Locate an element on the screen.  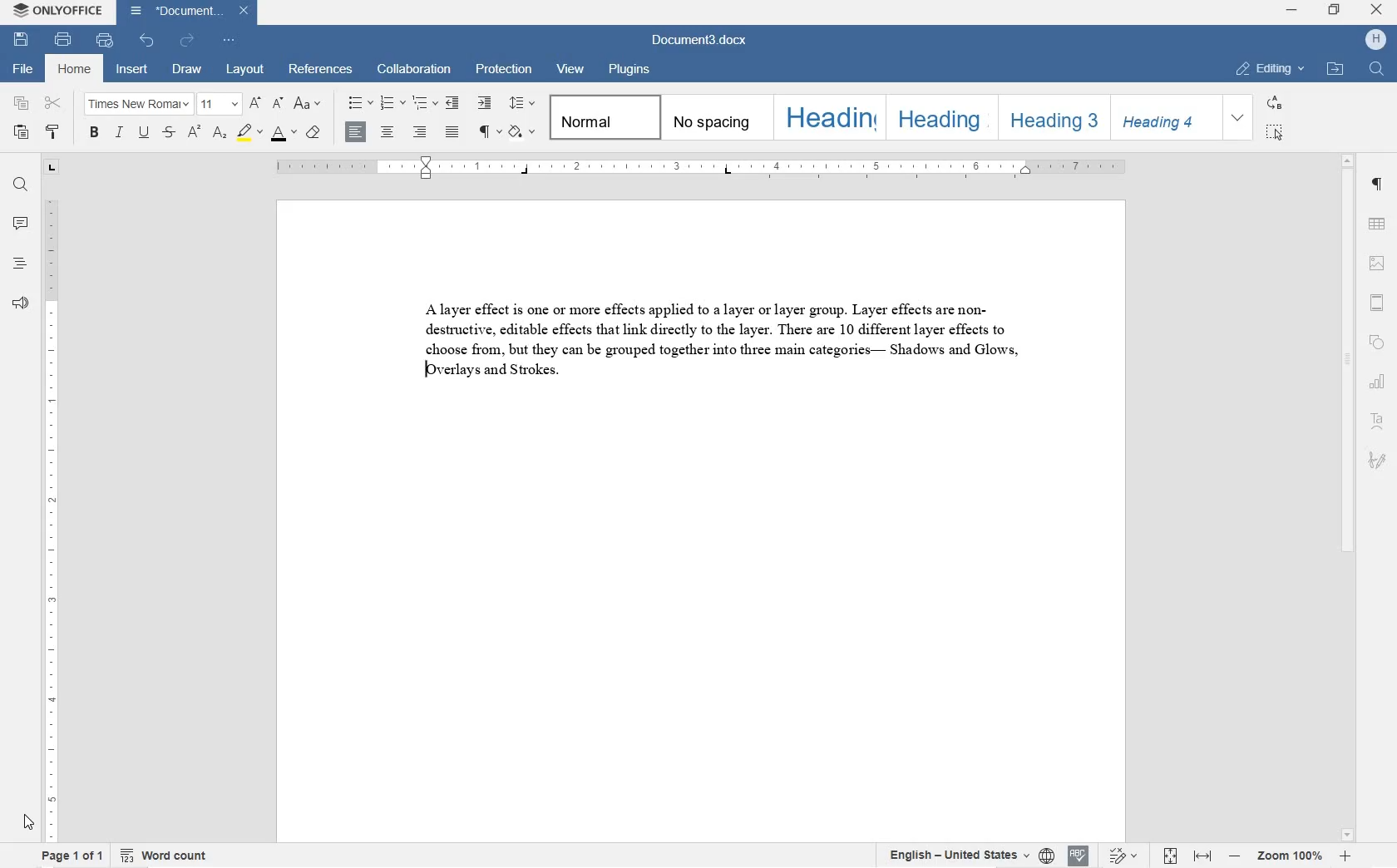
INCREASE INDENT is located at coordinates (485, 104).